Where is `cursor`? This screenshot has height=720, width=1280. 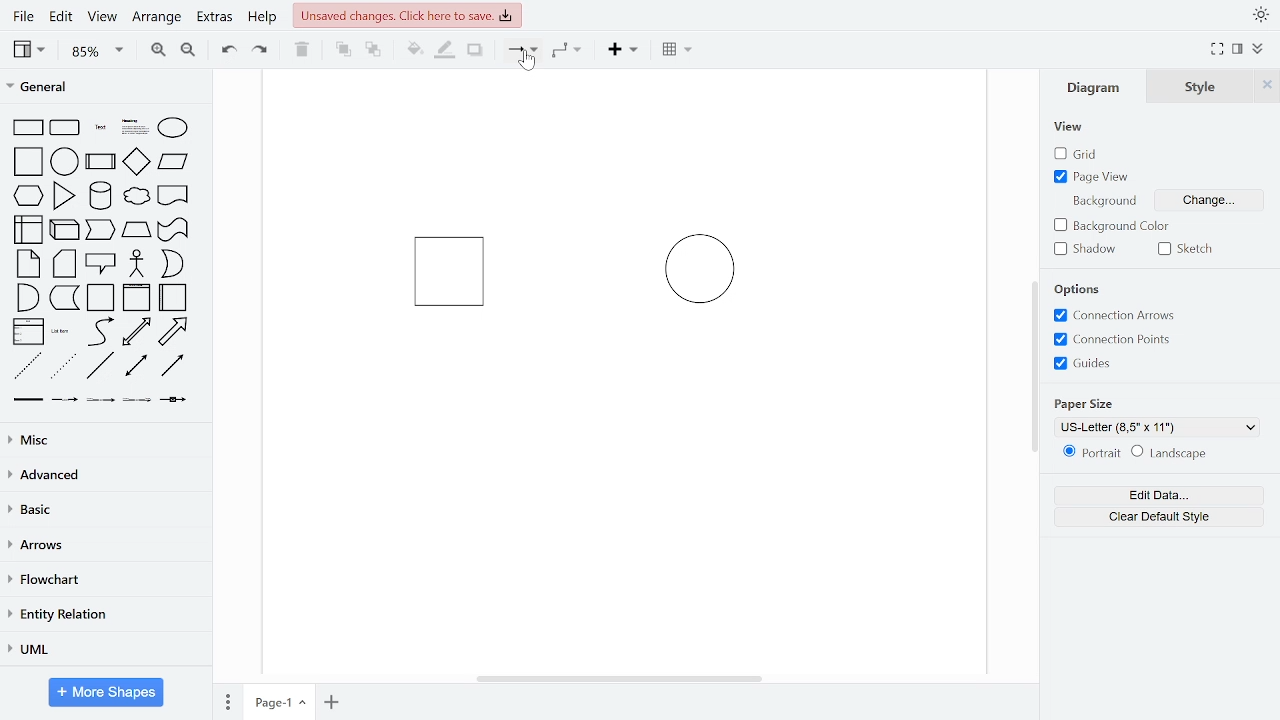 cursor is located at coordinates (529, 63).